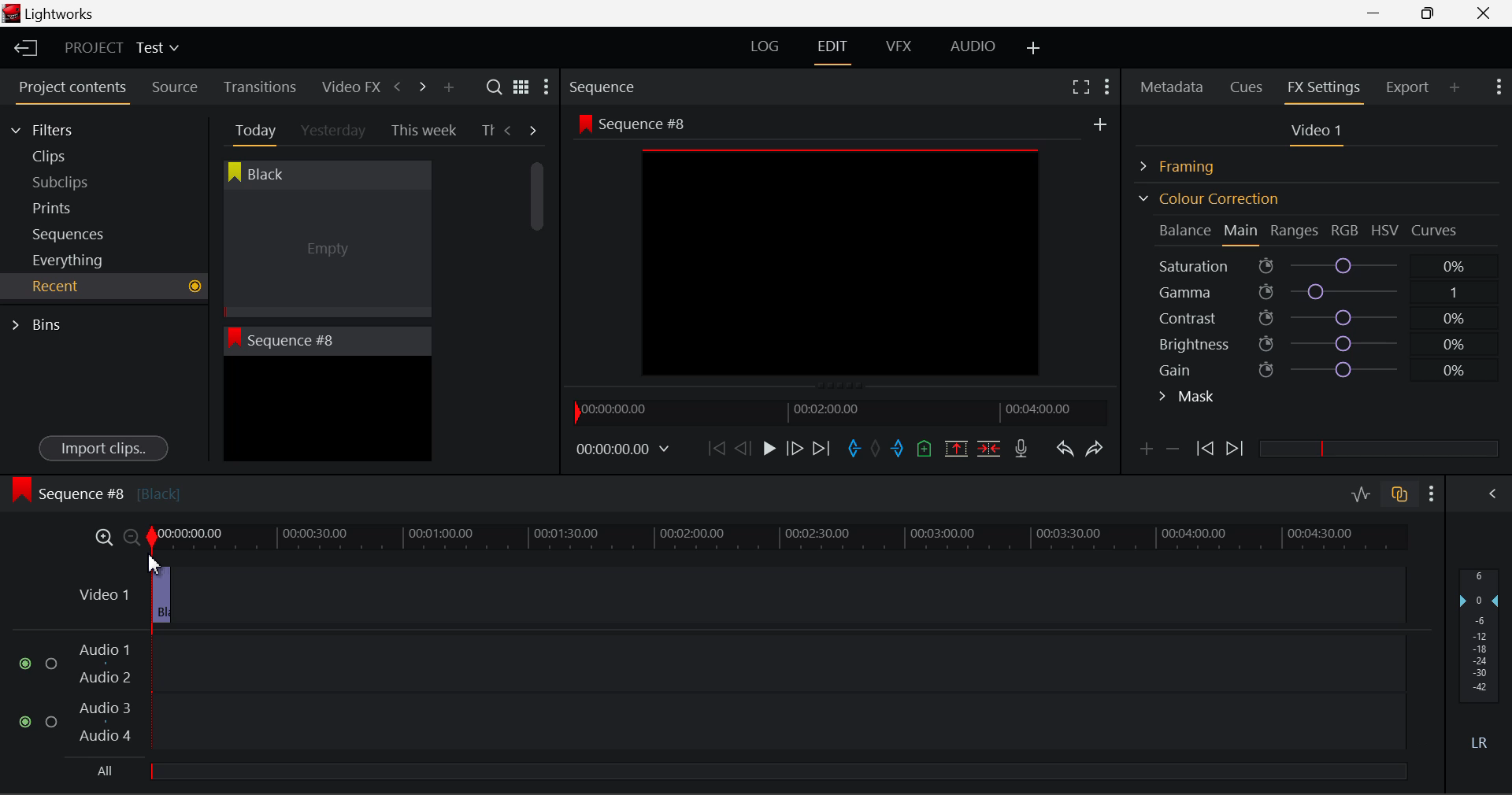  I want to click on VFX Layout, so click(902, 48).